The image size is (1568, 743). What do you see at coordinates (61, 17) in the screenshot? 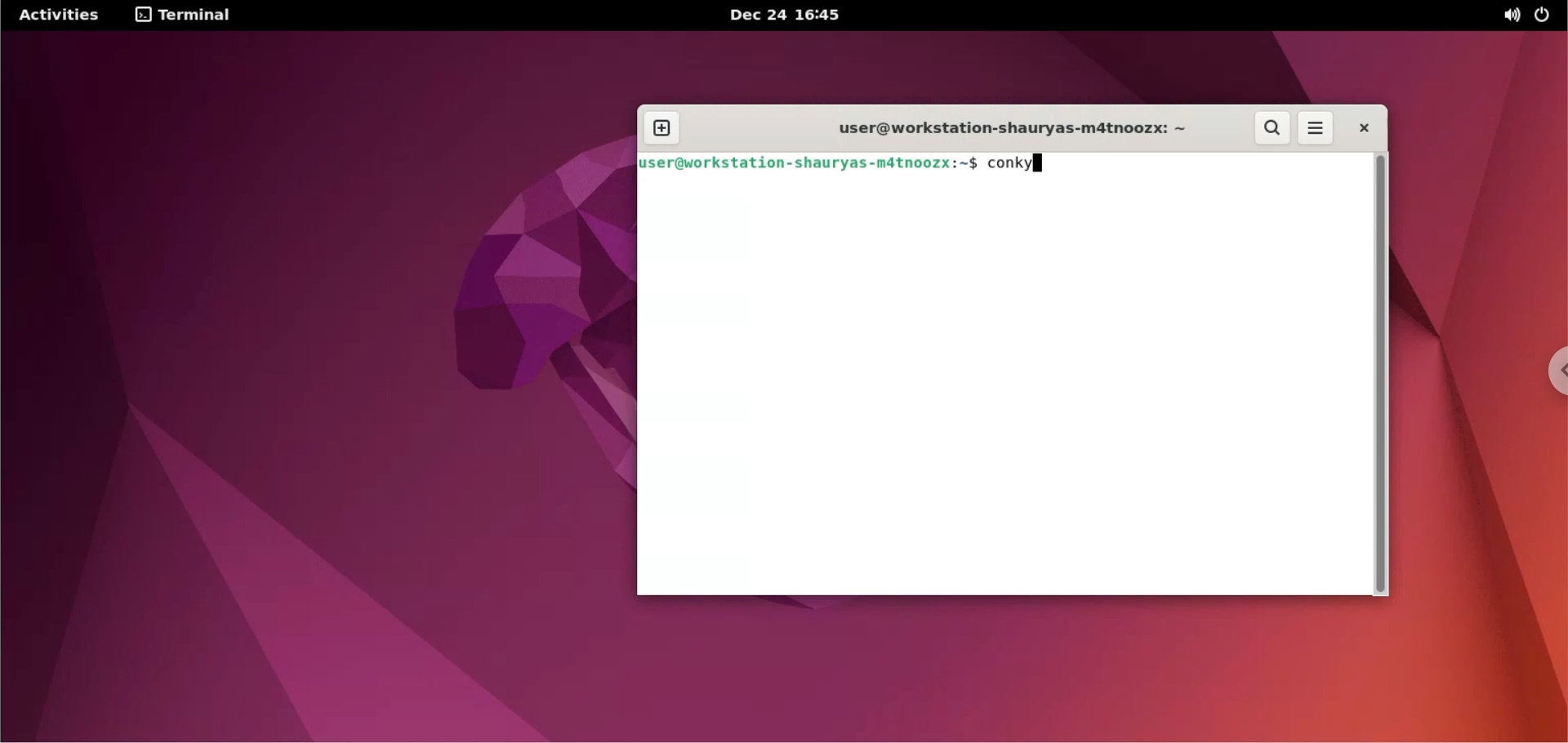
I see `Activities ` at bounding box center [61, 17].